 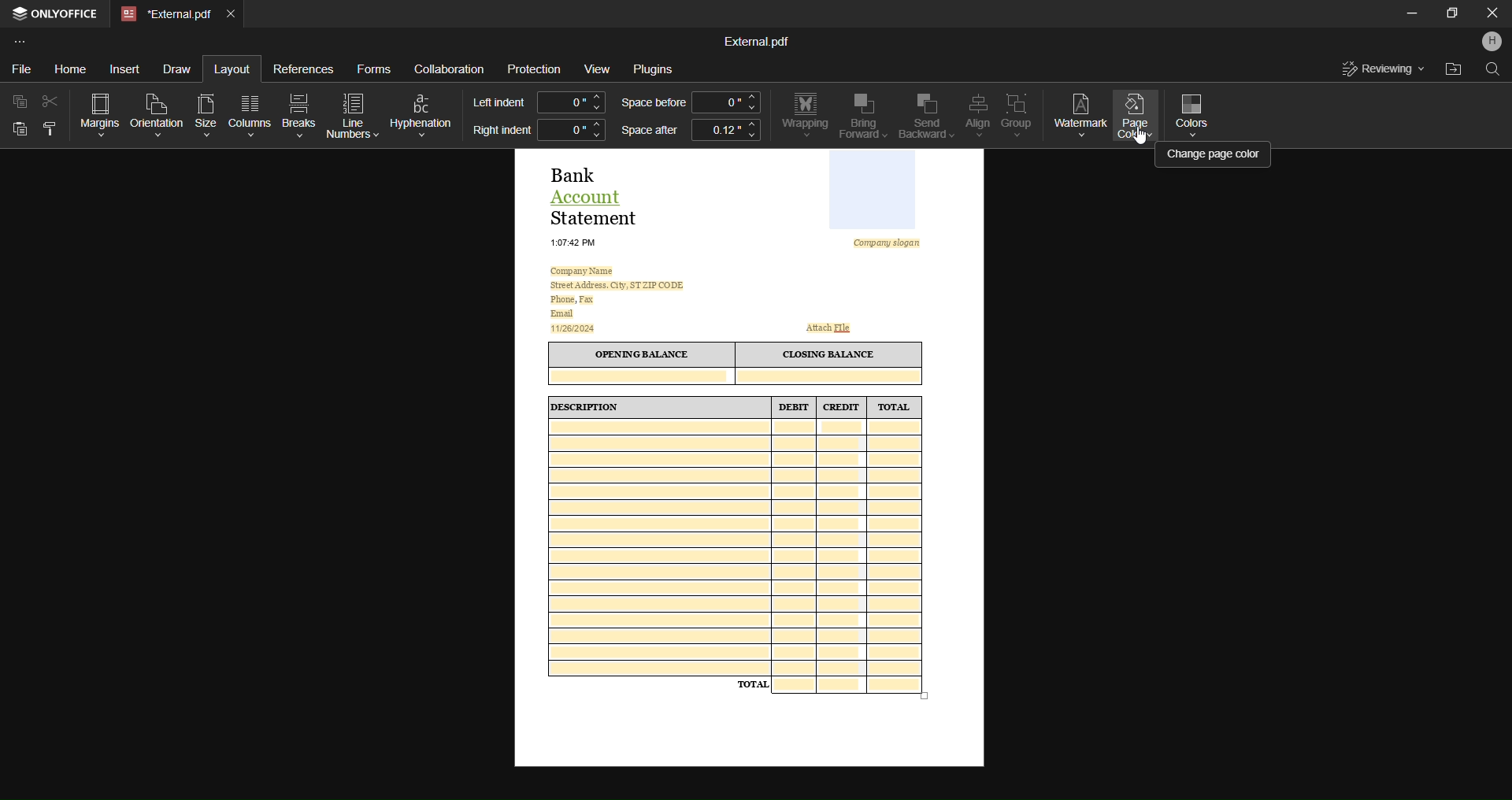 What do you see at coordinates (1448, 17) in the screenshot?
I see `Maximize` at bounding box center [1448, 17].